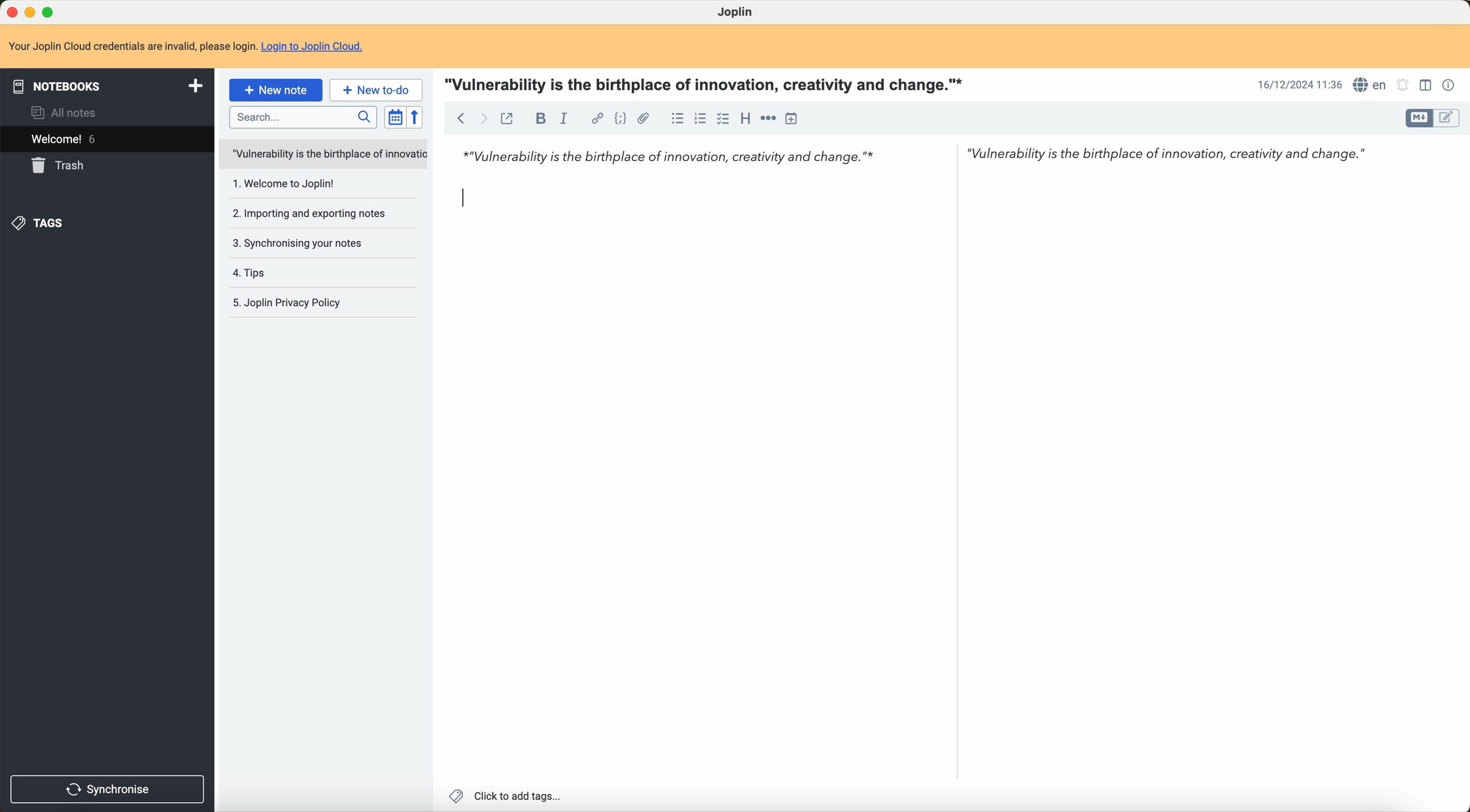  What do you see at coordinates (618, 118) in the screenshot?
I see `code` at bounding box center [618, 118].